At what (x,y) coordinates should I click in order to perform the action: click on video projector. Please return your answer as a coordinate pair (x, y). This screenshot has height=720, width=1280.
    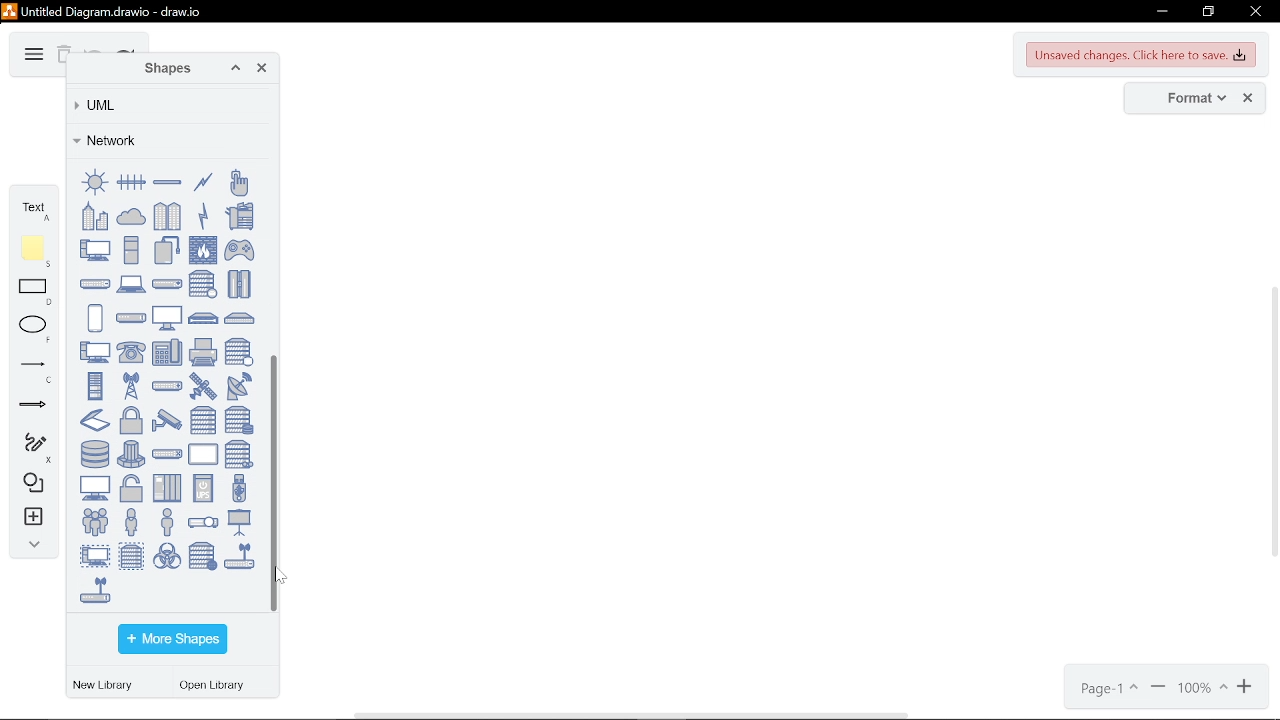
    Looking at the image, I should click on (203, 523).